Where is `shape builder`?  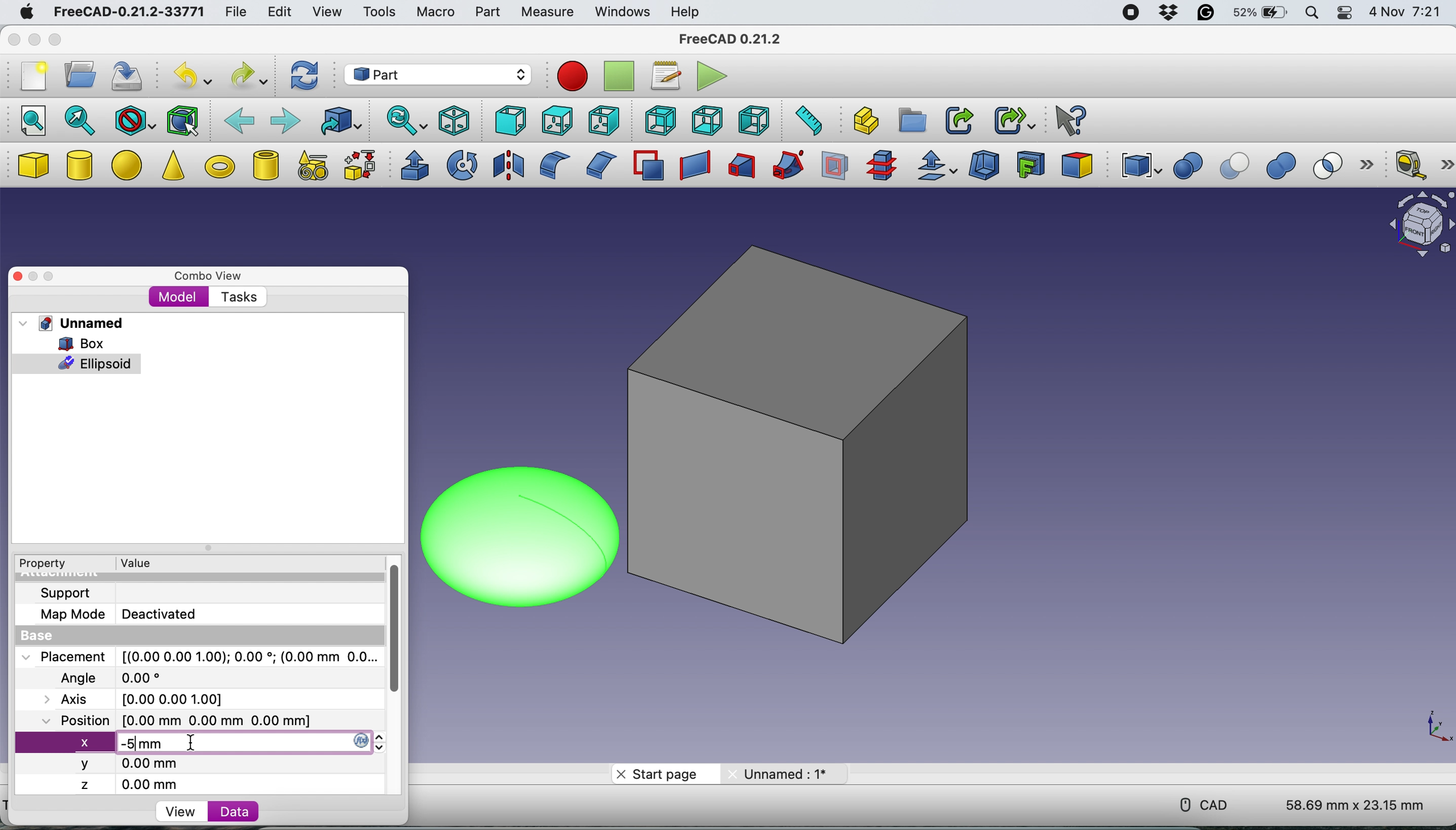
shape builder is located at coordinates (360, 165).